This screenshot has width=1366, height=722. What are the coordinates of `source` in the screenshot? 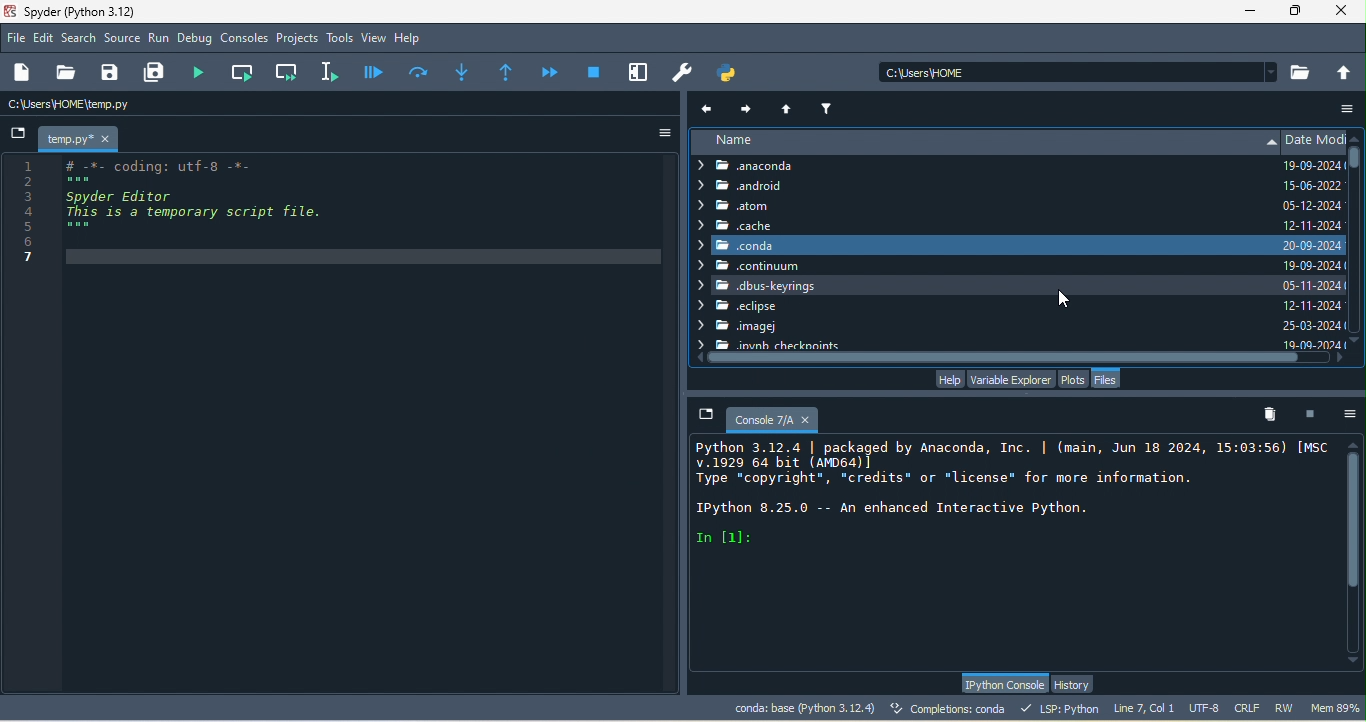 It's located at (123, 40).